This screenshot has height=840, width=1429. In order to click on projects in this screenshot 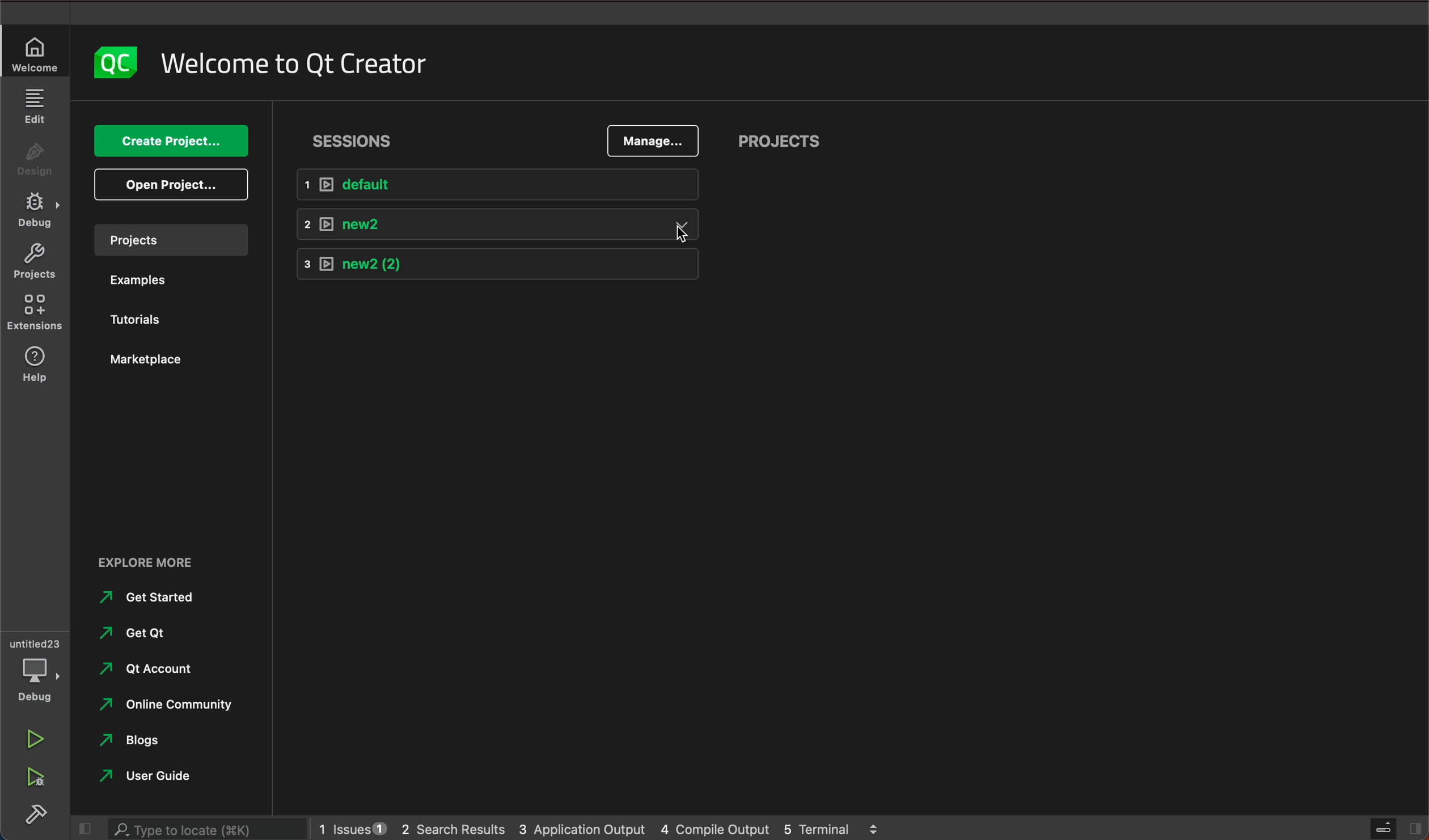, I will do `click(35, 262)`.